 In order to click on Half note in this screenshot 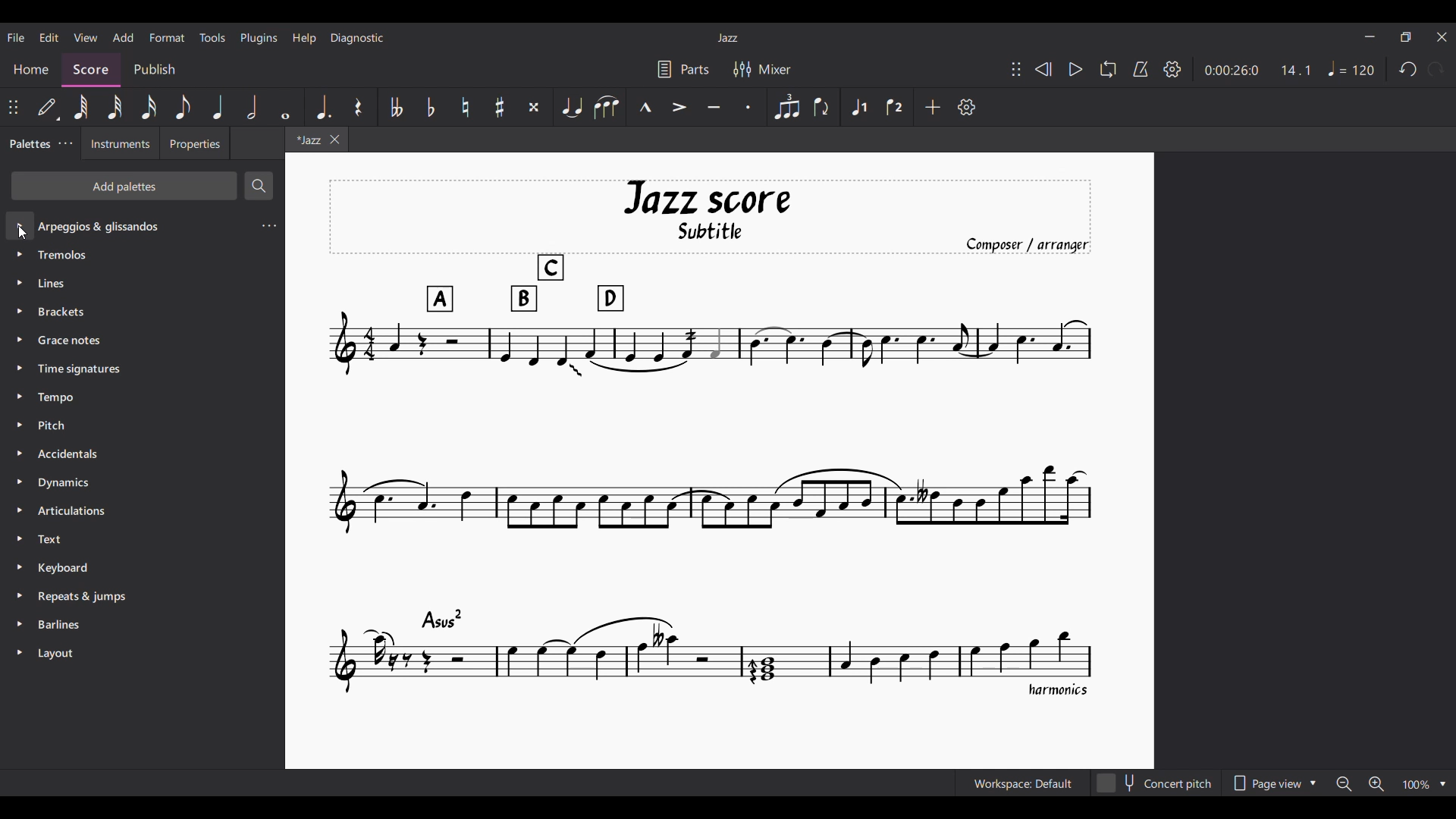, I will do `click(253, 107)`.